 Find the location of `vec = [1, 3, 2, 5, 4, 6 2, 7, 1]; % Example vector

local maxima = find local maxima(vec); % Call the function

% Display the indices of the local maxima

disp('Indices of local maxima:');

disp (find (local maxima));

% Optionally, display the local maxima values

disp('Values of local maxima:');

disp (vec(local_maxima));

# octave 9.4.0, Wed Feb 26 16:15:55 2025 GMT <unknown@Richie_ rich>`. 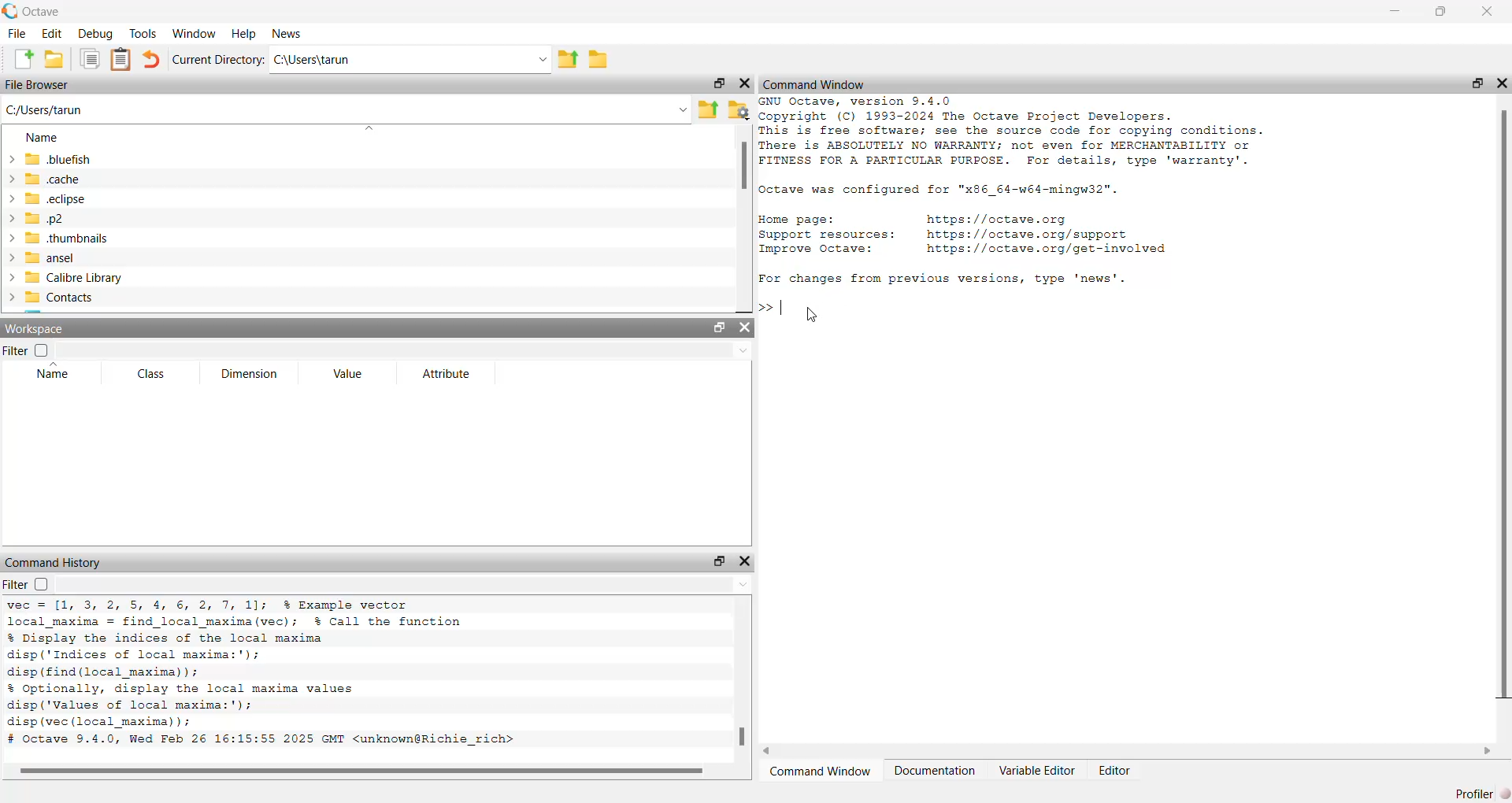

vec = [1, 3, 2, 5, 4, 6 2, 7, 1]; % Example vector

local maxima = find local maxima(vec); % Call the function

% Display the indices of the local maxima

disp('Indices of local maxima:');

disp (find (local maxima));

% Optionally, display the local maxima values

disp('Values of local maxima:');

disp (vec(local_maxima));

# octave 9.4.0, Wed Feb 26 16:15:55 2025 GMT <unknown@Richie_ rich> is located at coordinates (298, 676).